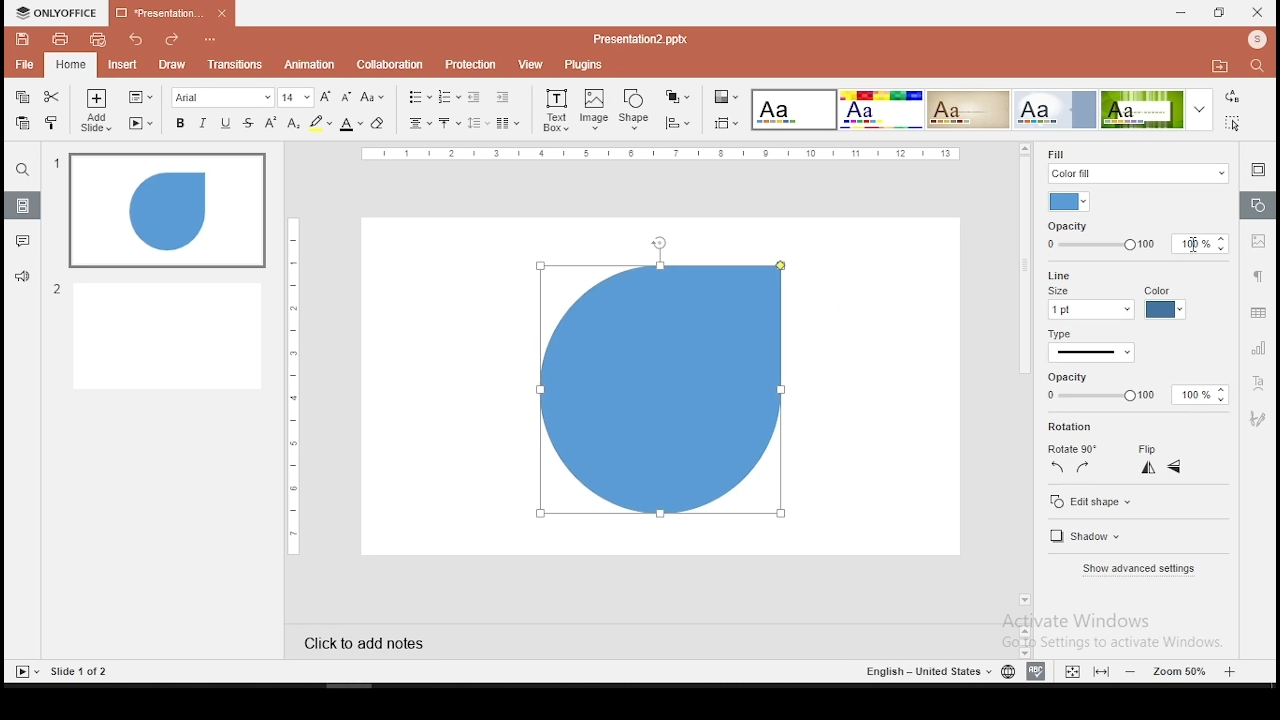 The height and width of the screenshot is (720, 1280). I want to click on line size, so click(1090, 303).